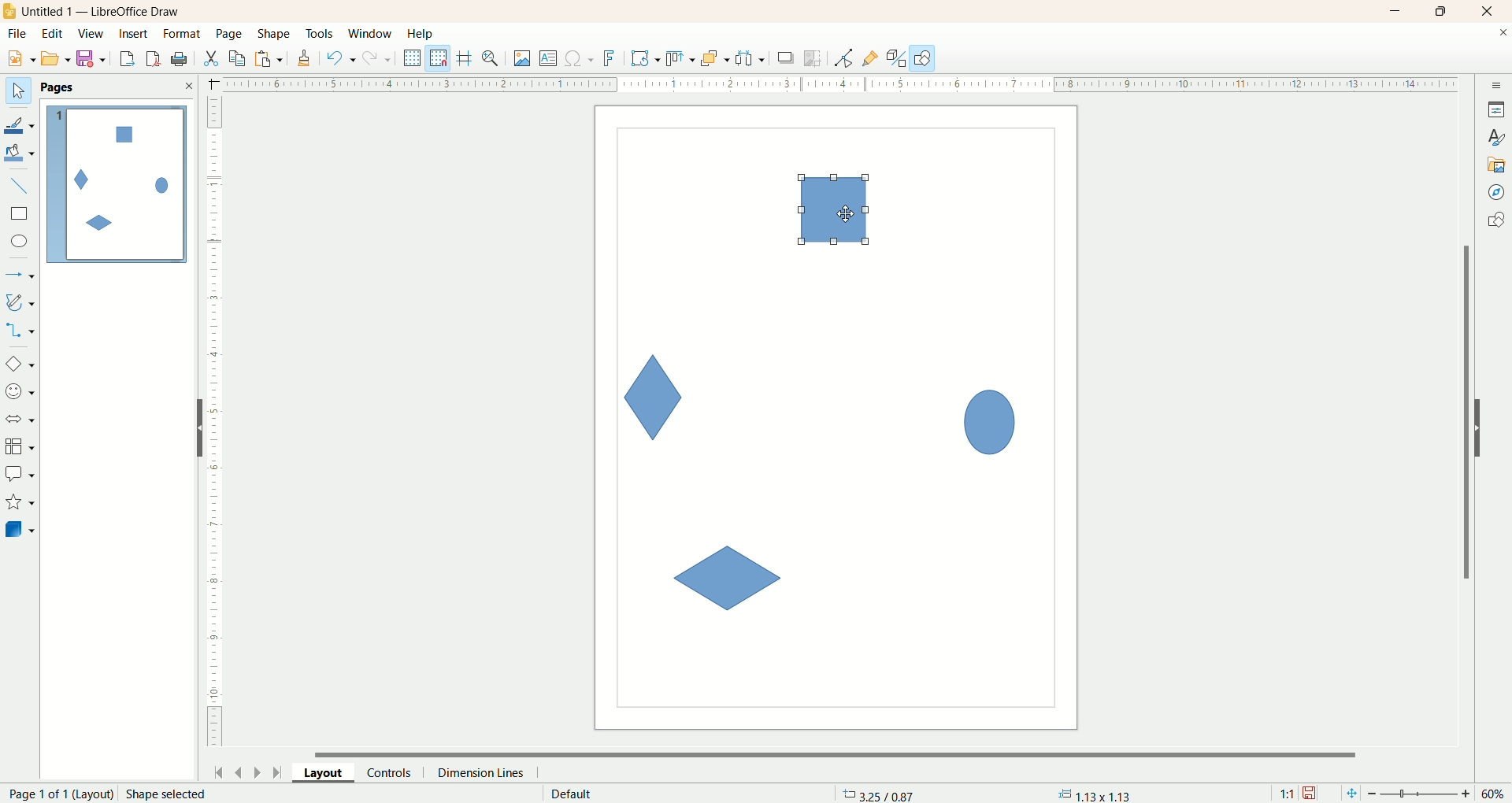 This screenshot has height=803, width=1512. What do you see at coordinates (275, 35) in the screenshot?
I see `shape` at bounding box center [275, 35].